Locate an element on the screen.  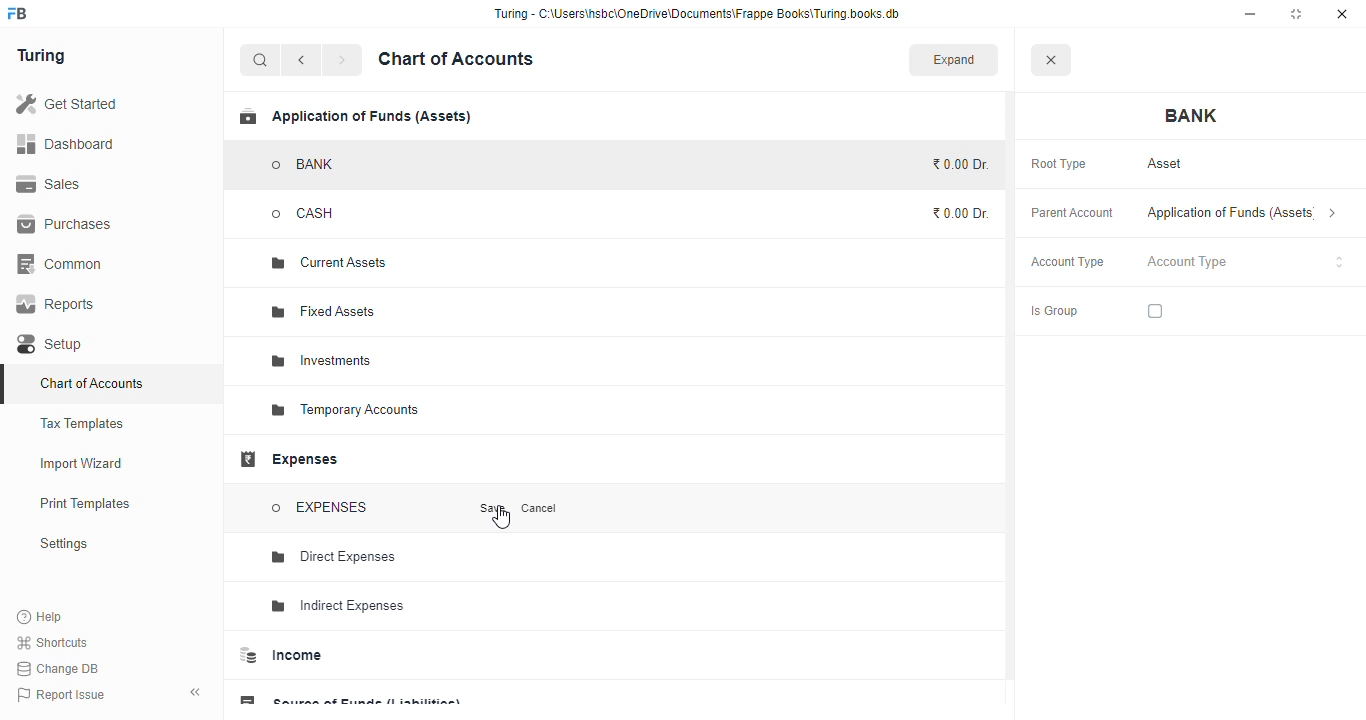
tax templates is located at coordinates (83, 423).